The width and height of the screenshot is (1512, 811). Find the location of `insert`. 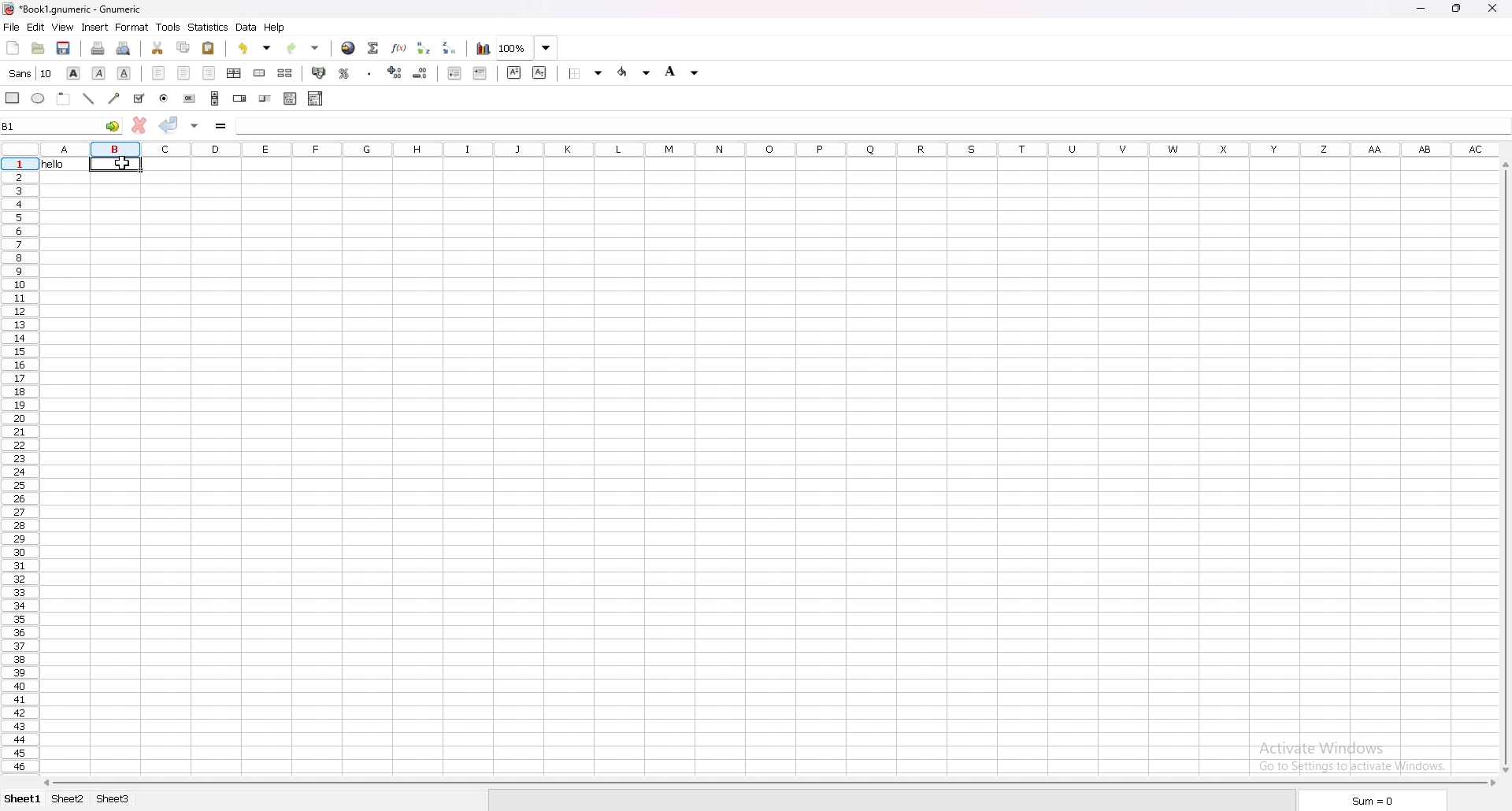

insert is located at coordinates (94, 28).